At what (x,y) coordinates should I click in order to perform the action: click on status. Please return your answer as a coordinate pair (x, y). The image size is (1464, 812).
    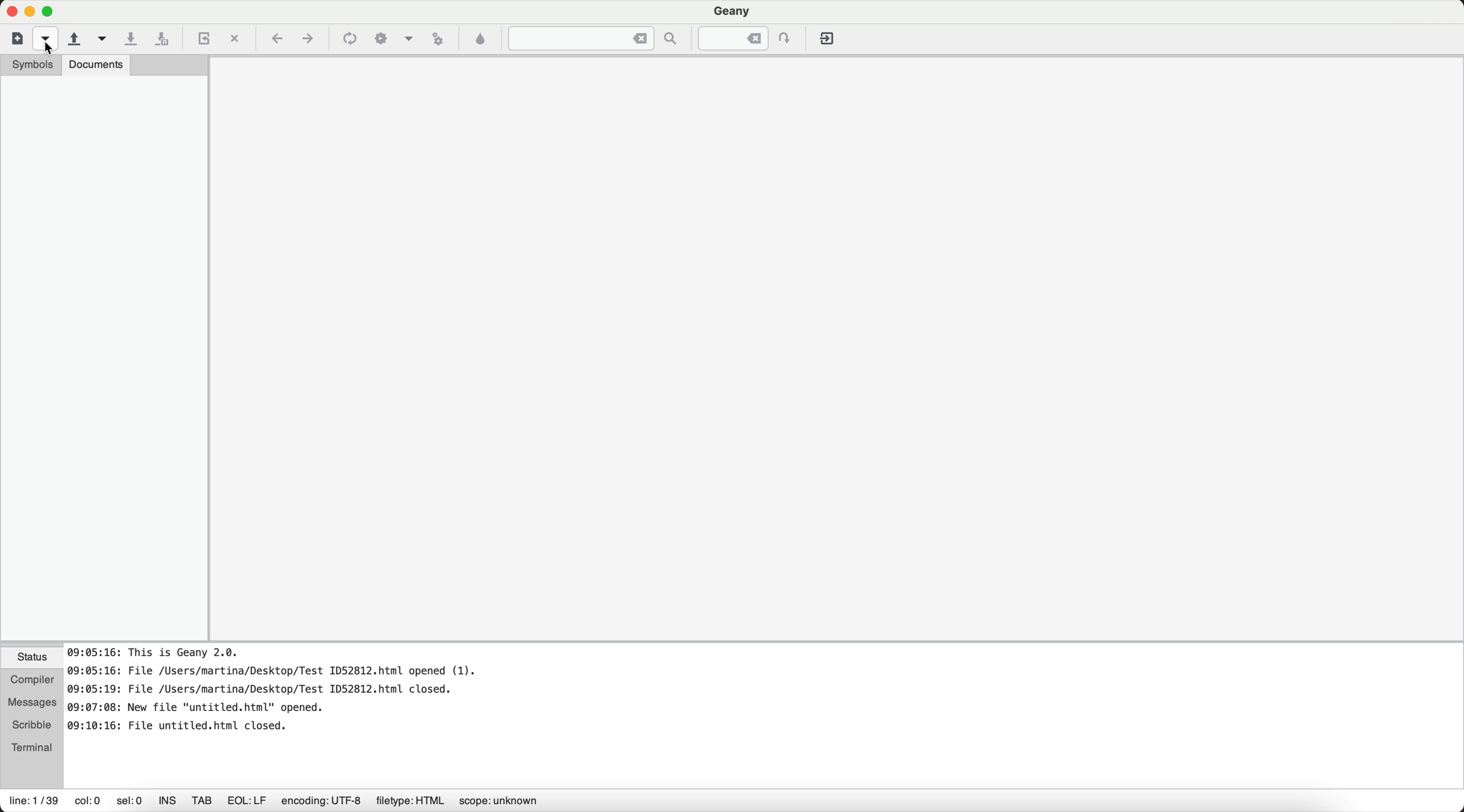
    Looking at the image, I should click on (30, 658).